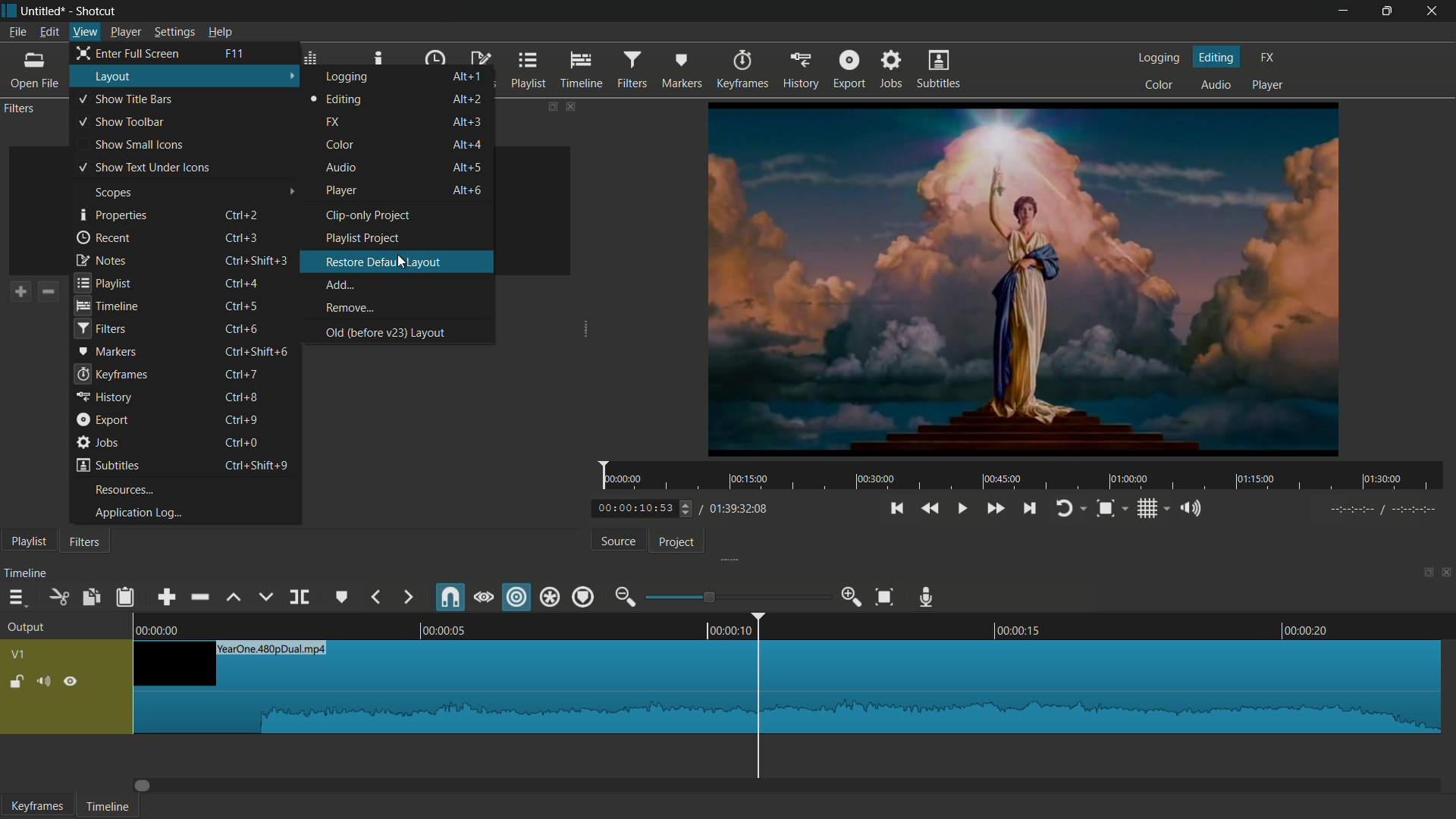 The width and height of the screenshot is (1456, 819). Describe the element at coordinates (17, 32) in the screenshot. I see `file menu` at that location.